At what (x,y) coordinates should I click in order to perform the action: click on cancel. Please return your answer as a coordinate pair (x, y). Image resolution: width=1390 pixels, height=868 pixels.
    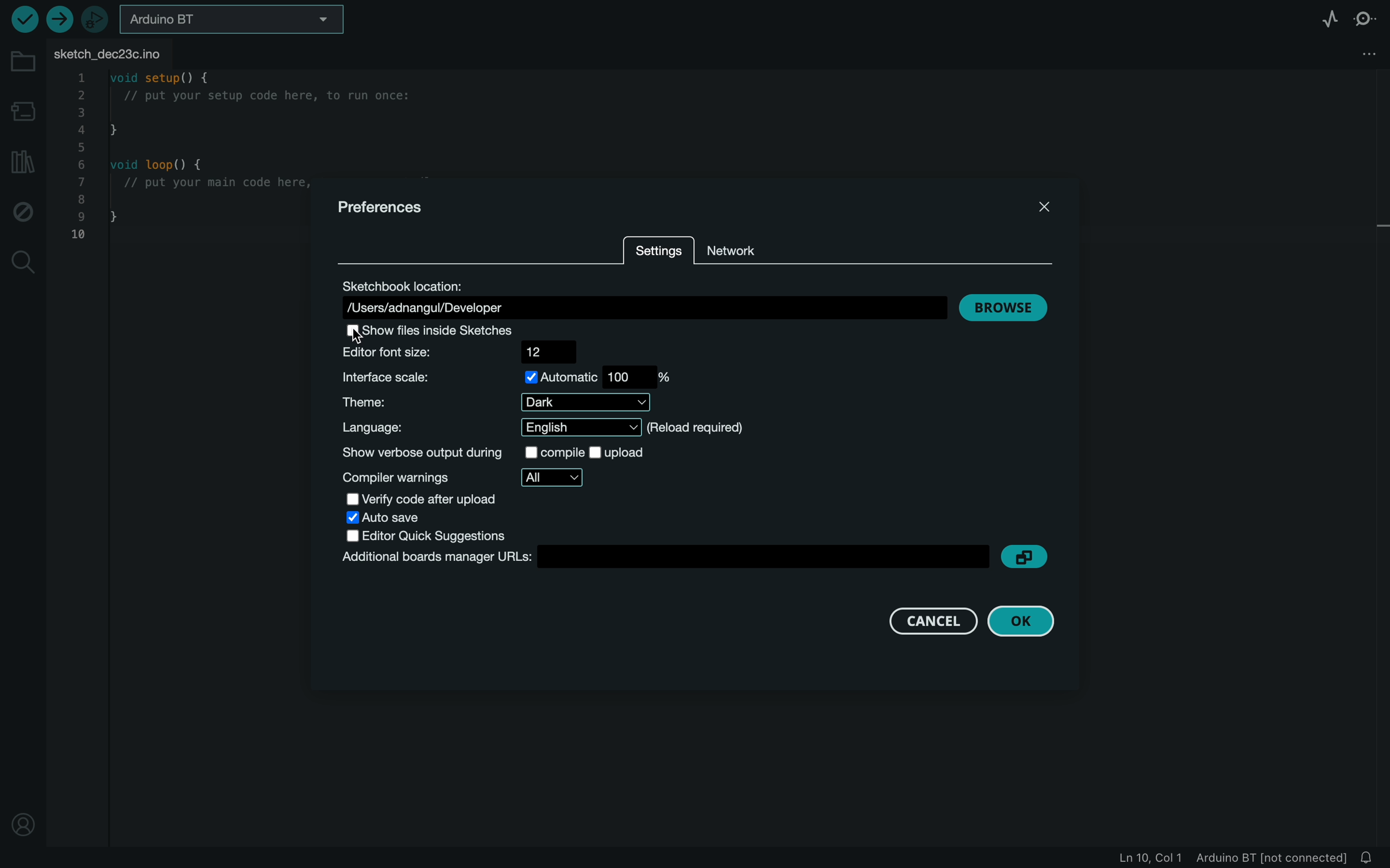
    Looking at the image, I should click on (922, 619).